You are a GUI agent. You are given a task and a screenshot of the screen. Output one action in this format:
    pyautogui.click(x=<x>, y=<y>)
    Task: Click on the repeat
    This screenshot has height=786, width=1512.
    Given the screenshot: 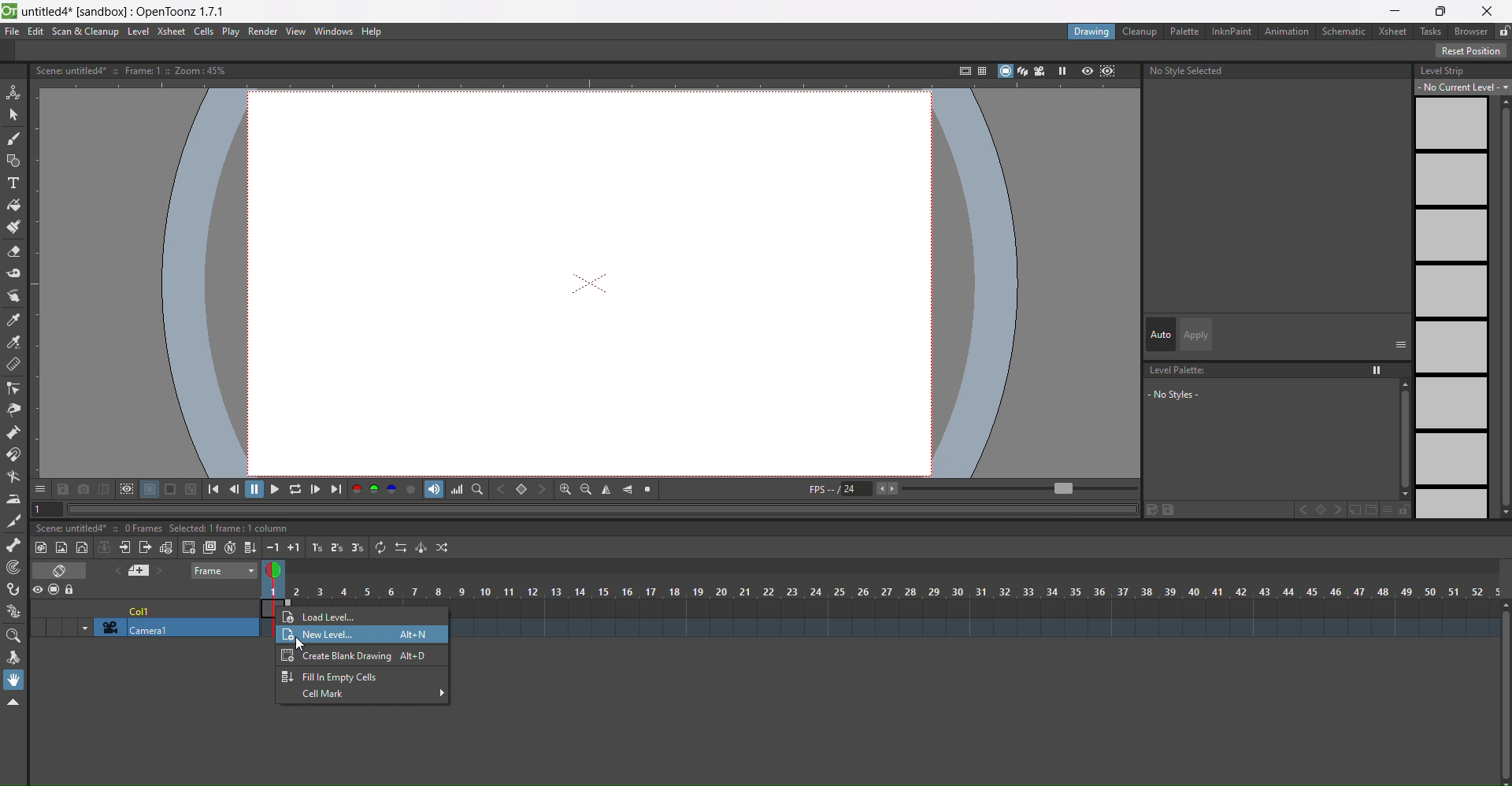 What is the action you would take?
    pyautogui.click(x=380, y=547)
    